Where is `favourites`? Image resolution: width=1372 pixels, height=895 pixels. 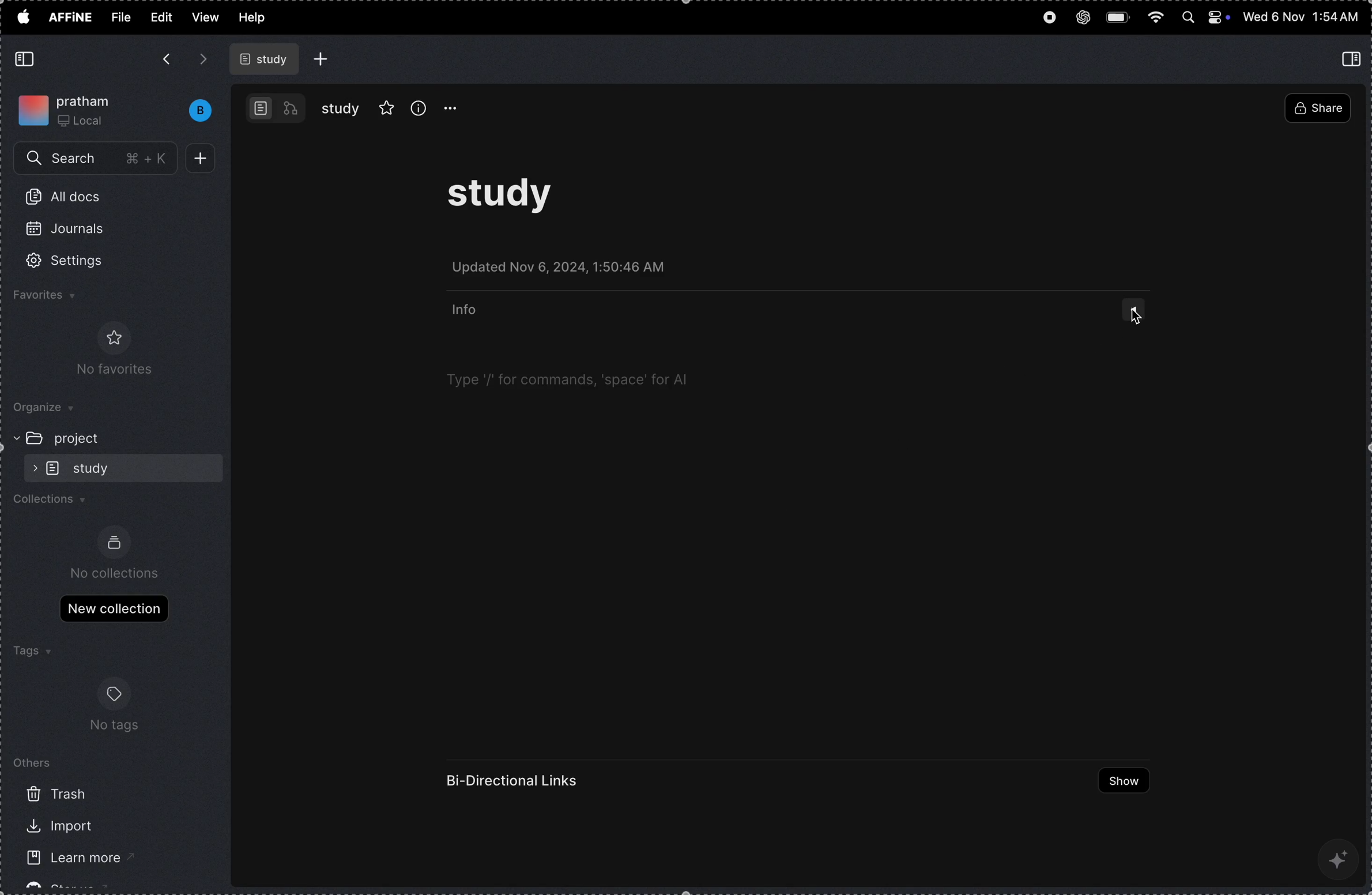
favourites is located at coordinates (61, 297).